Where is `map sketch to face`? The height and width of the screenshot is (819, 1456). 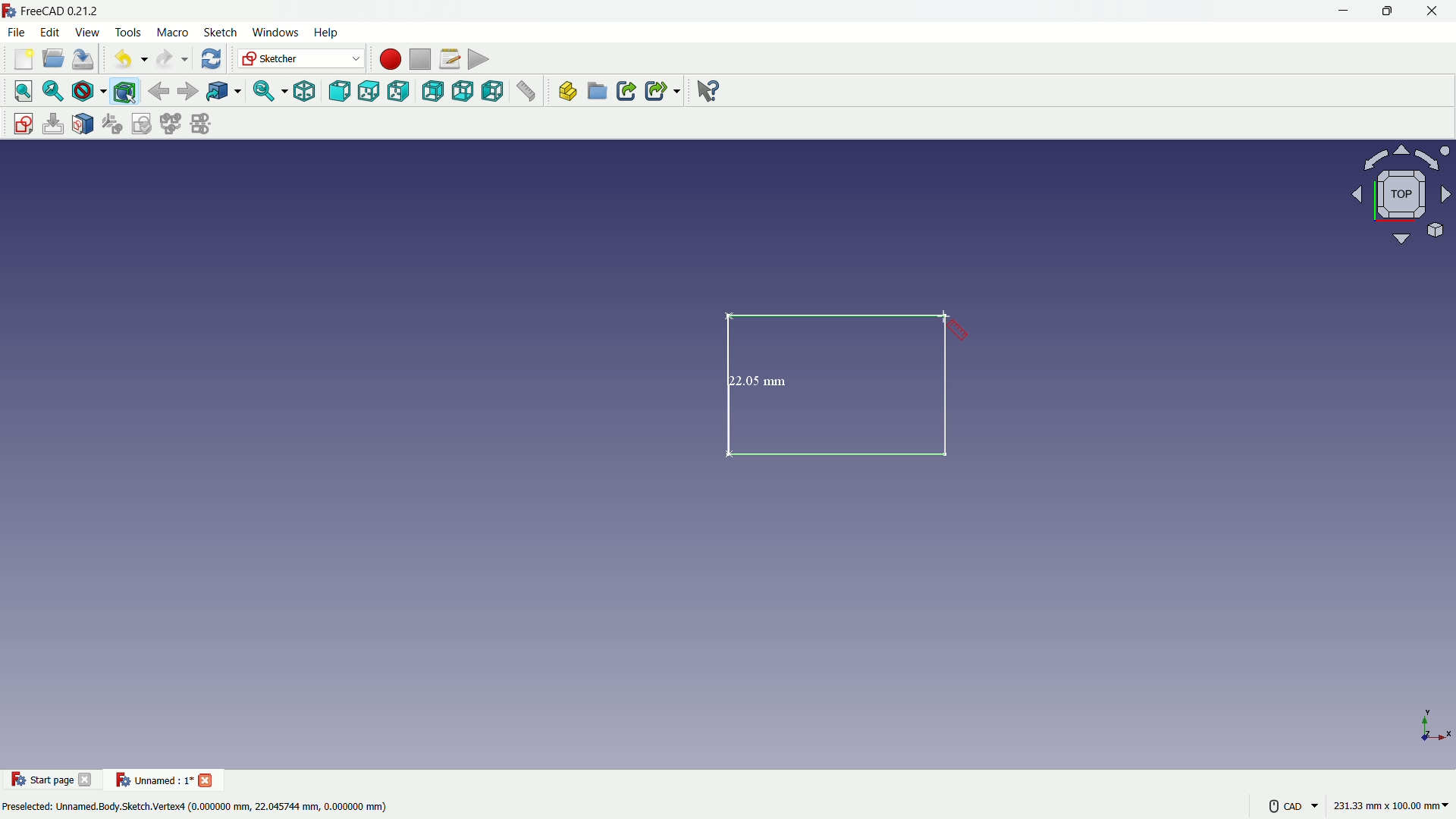
map sketch to face is located at coordinates (83, 124).